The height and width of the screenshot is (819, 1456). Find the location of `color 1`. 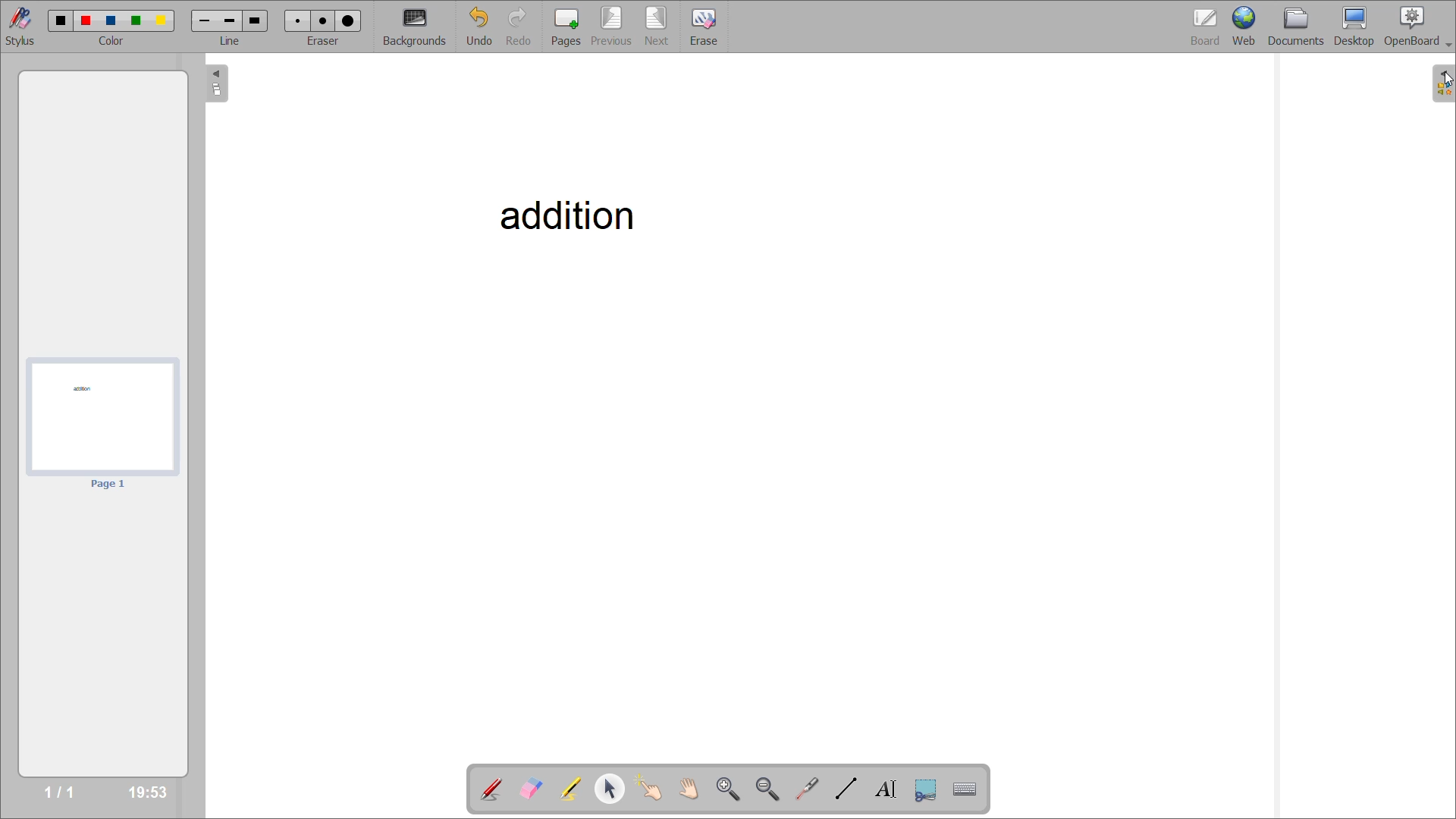

color 1 is located at coordinates (61, 21).